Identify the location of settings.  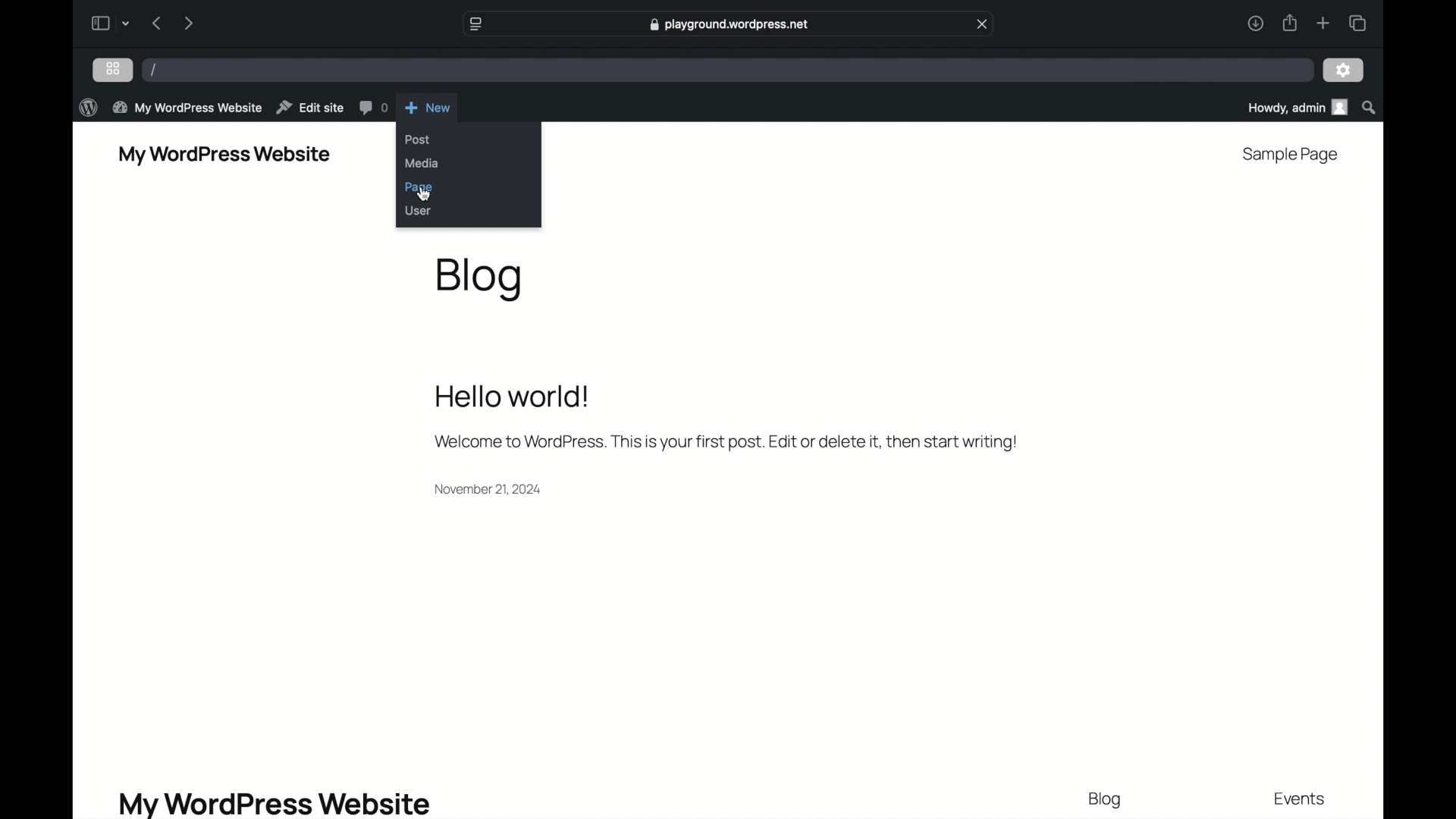
(1343, 69).